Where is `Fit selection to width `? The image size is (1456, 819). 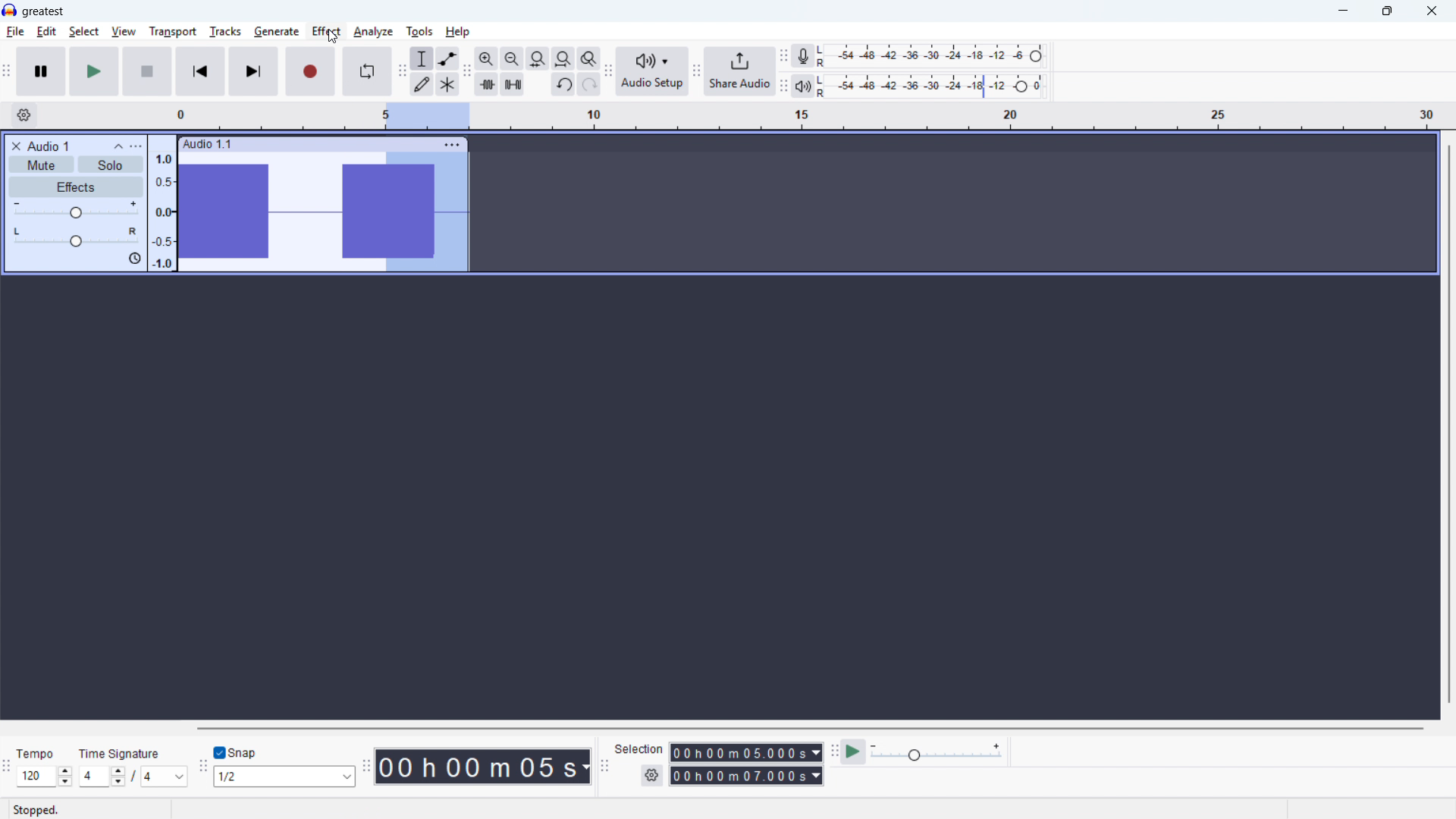 Fit selection to width  is located at coordinates (538, 59).